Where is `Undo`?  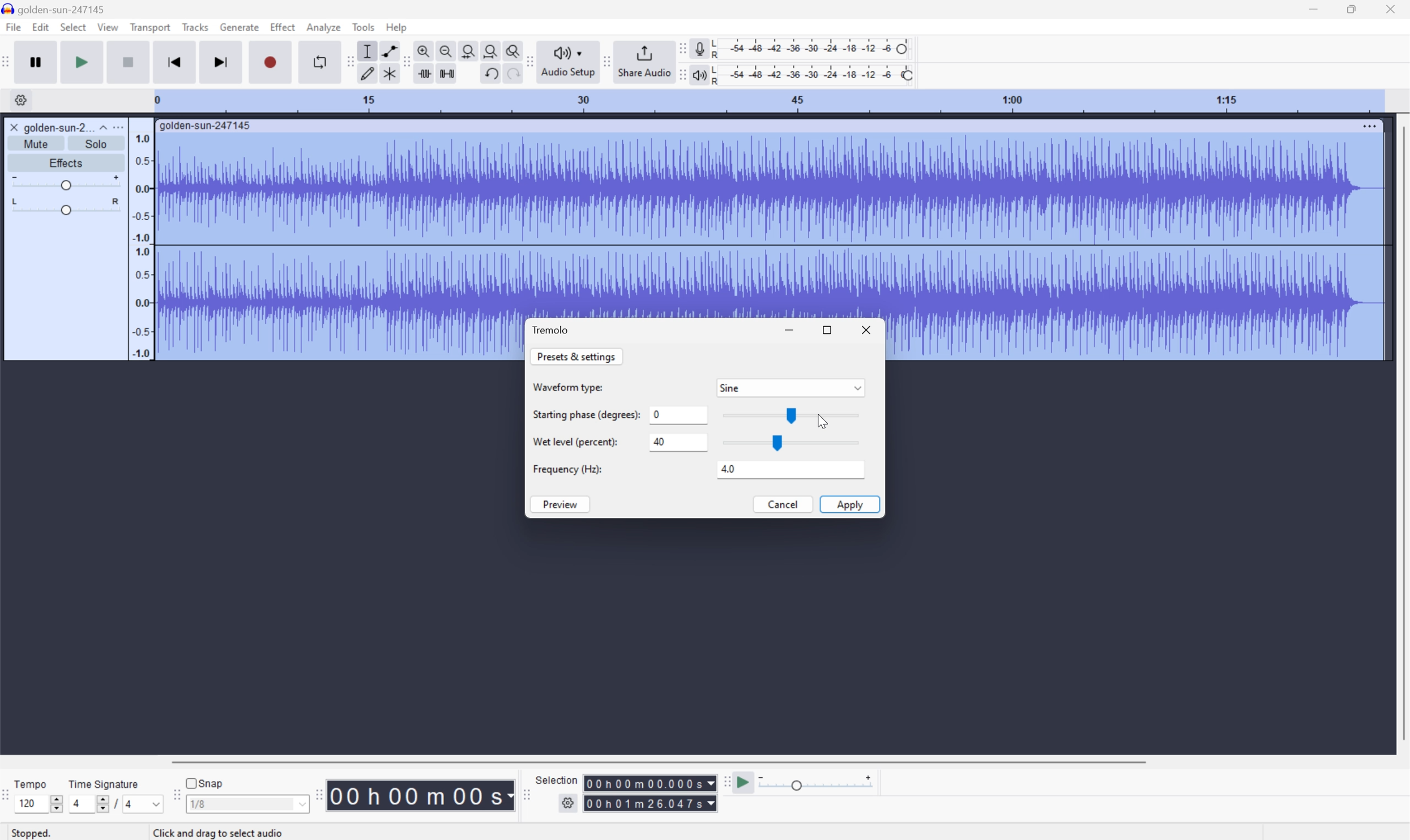 Undo is located at coordinates (492, 73).